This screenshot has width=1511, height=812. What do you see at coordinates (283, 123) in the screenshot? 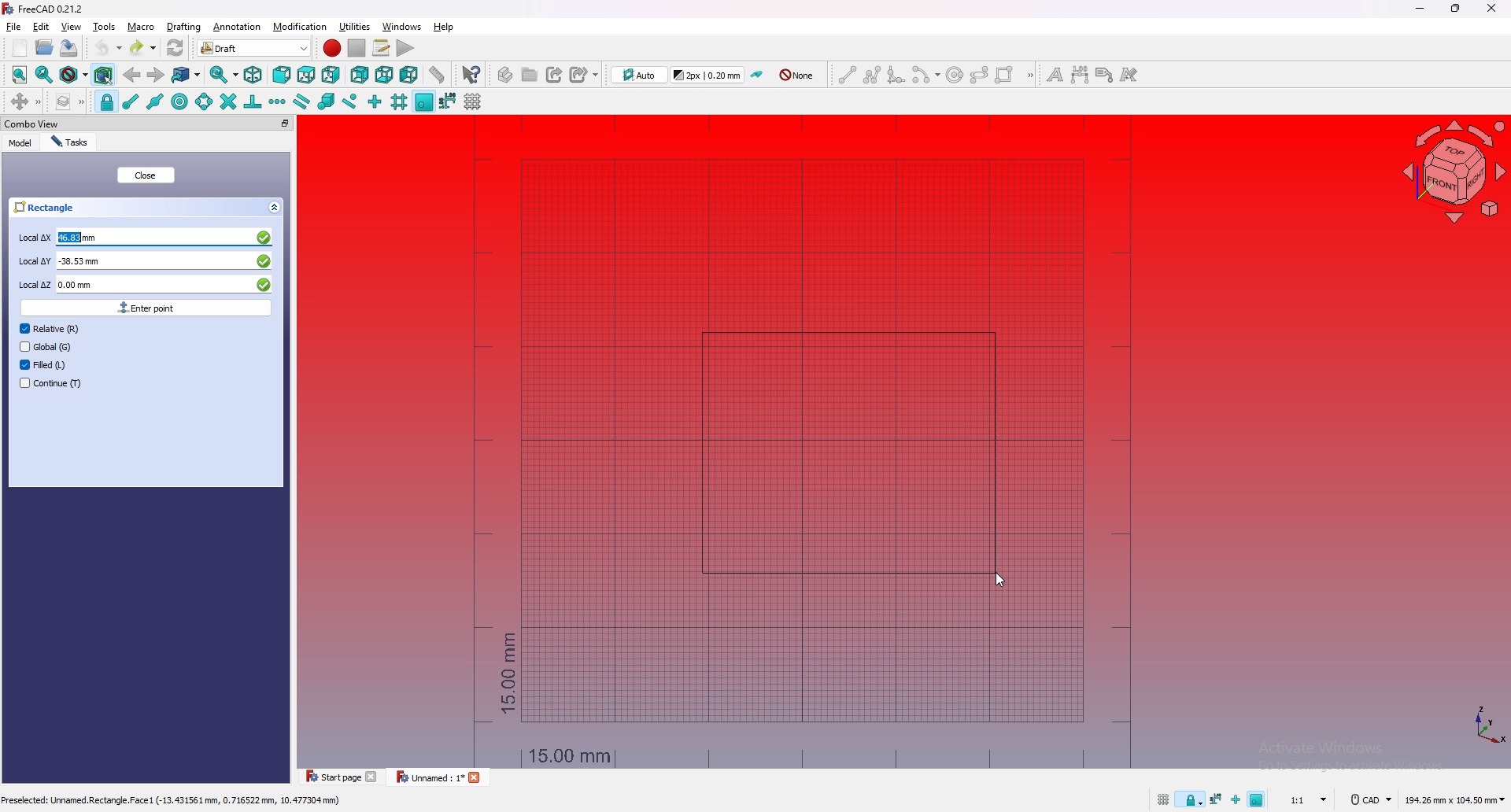
I see `pop out` at bounding box center [283, 123].